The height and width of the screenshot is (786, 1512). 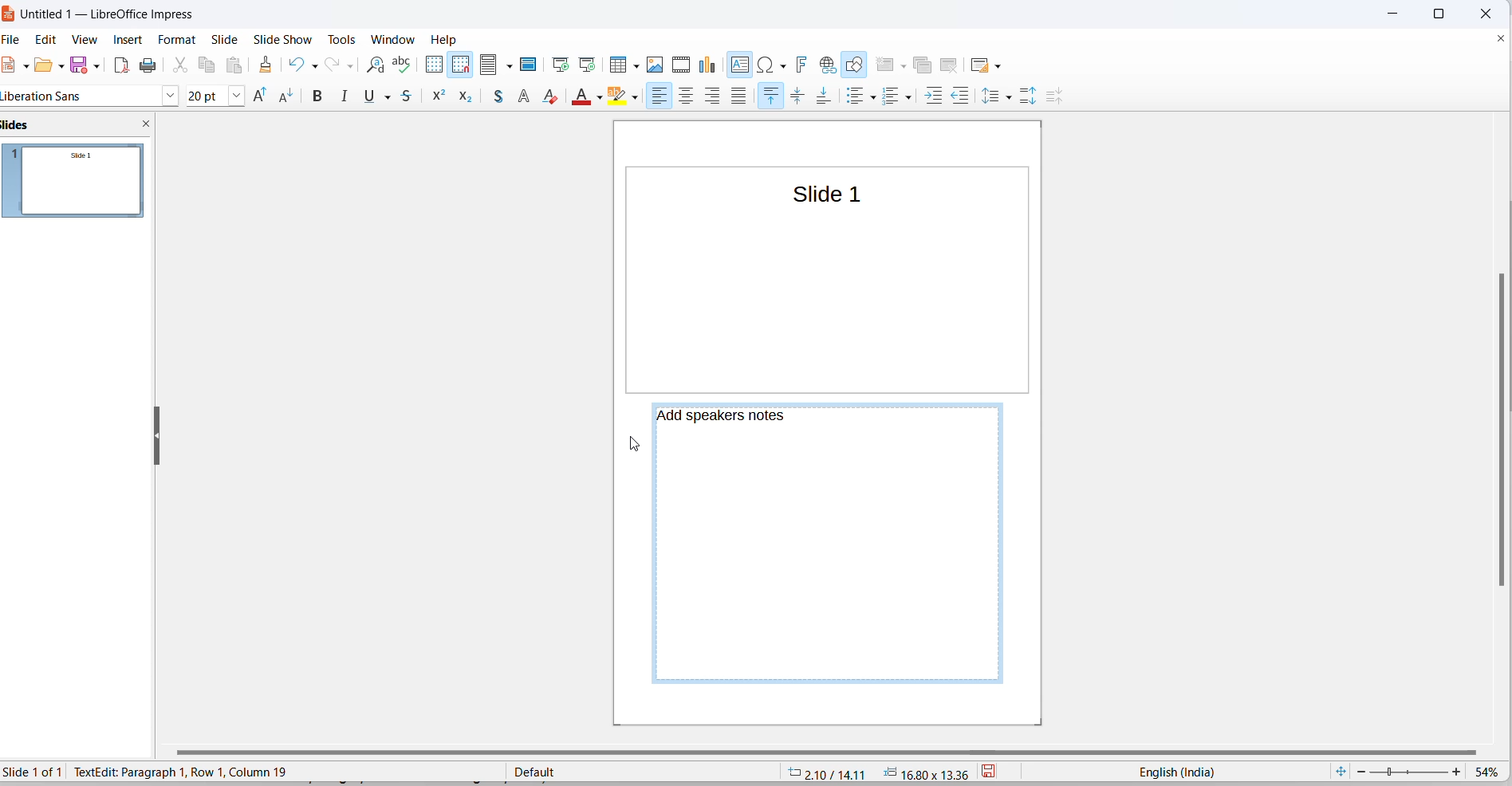 What do you see at coordinates (522, 95) in the screenshot?
I see `stars` at bounding box center [522, 95].